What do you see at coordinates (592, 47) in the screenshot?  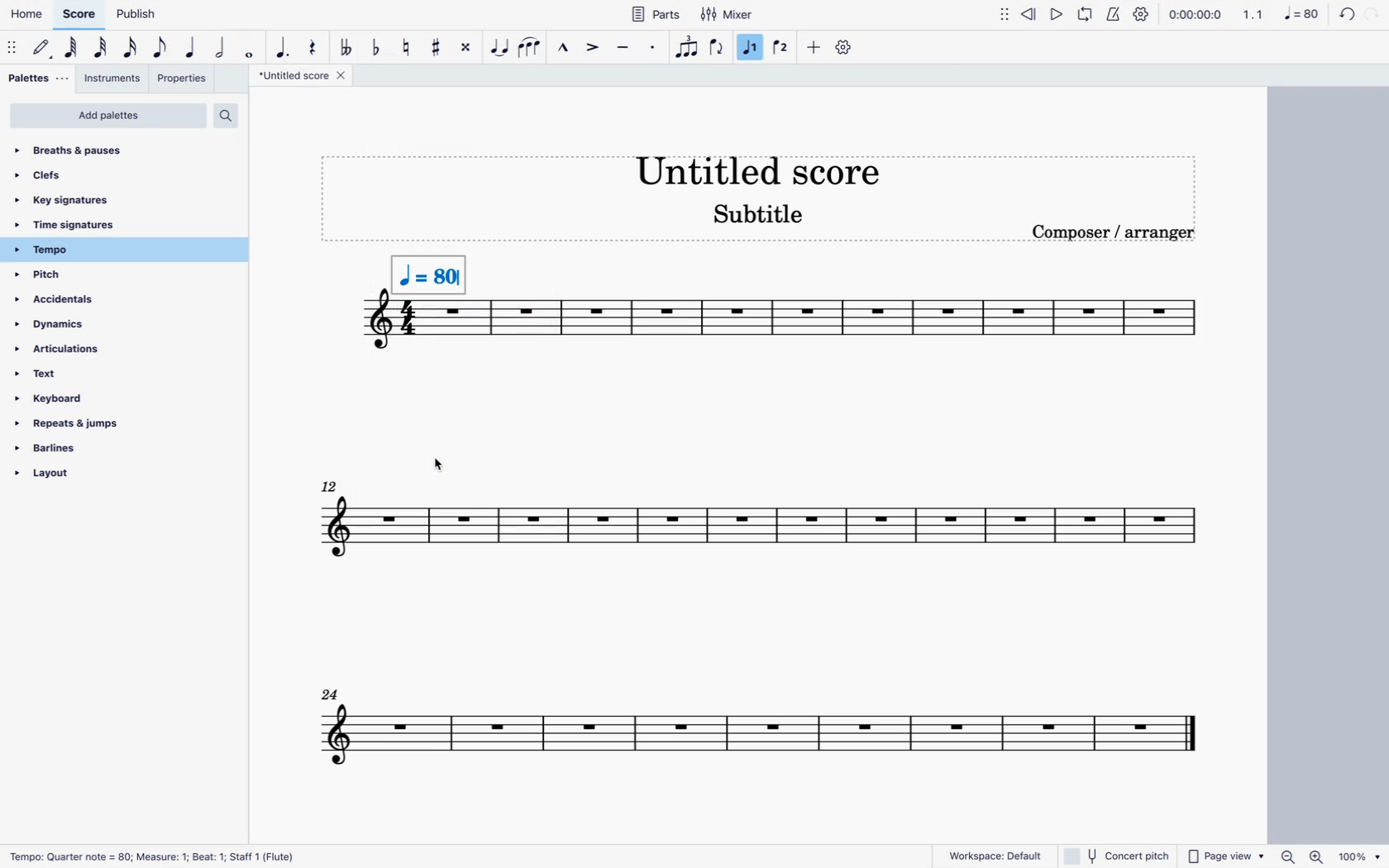 I see `accent` at bounding box center [592, 47].